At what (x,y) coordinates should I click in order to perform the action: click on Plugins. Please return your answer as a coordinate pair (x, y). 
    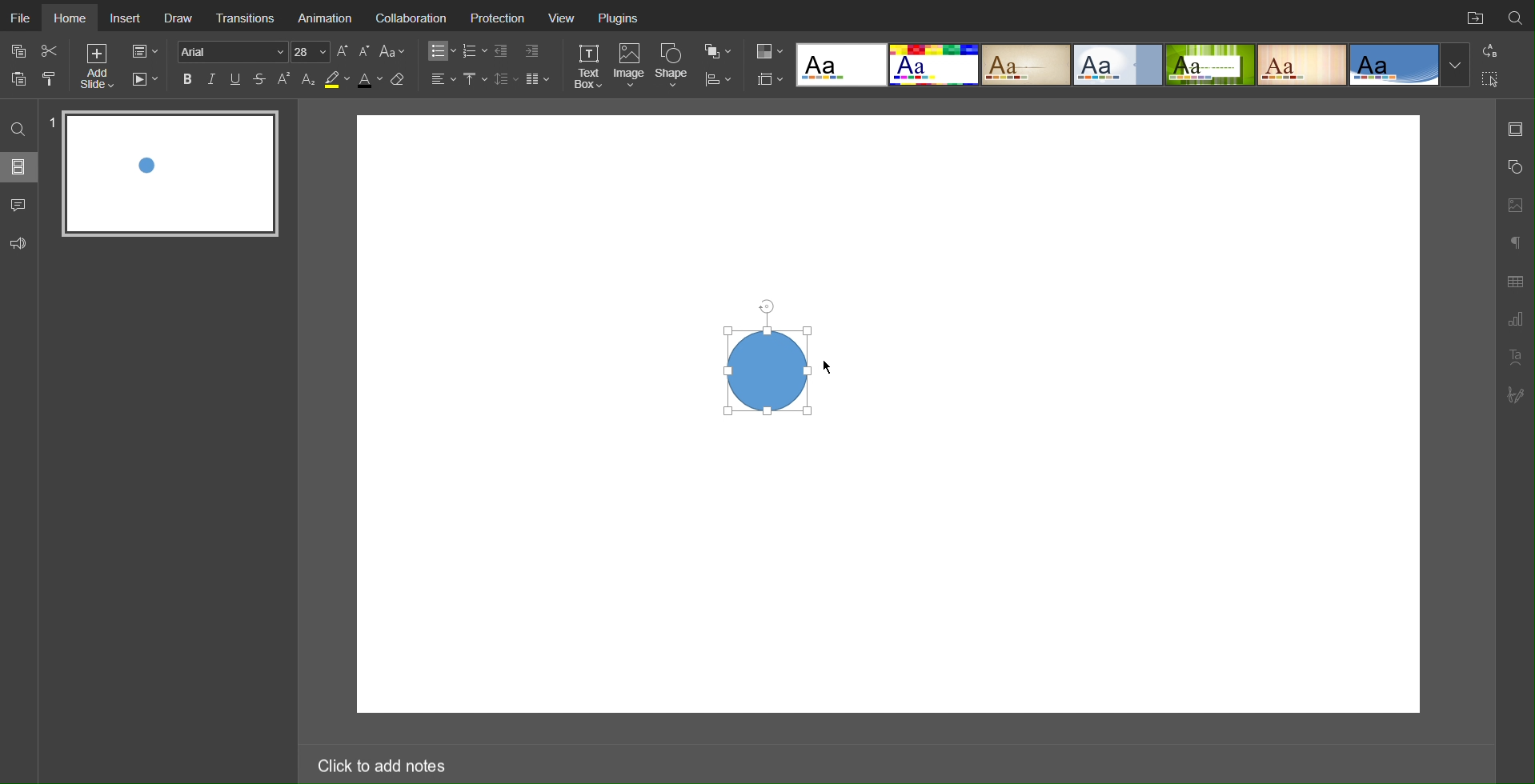
    Looking at the image, I should click on (621, 17).